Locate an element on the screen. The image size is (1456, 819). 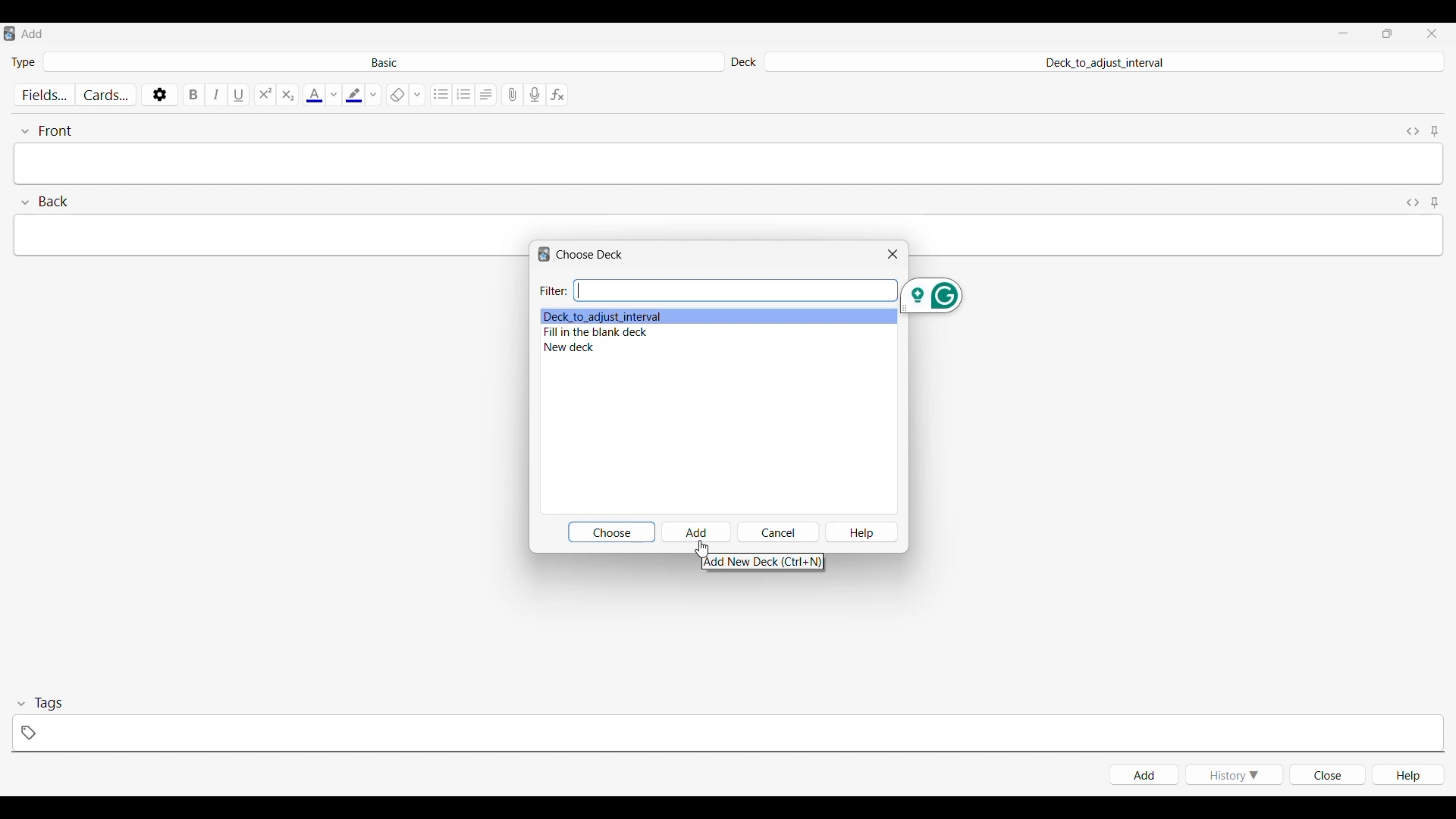
Software logo is located at coordinates (544, 255).